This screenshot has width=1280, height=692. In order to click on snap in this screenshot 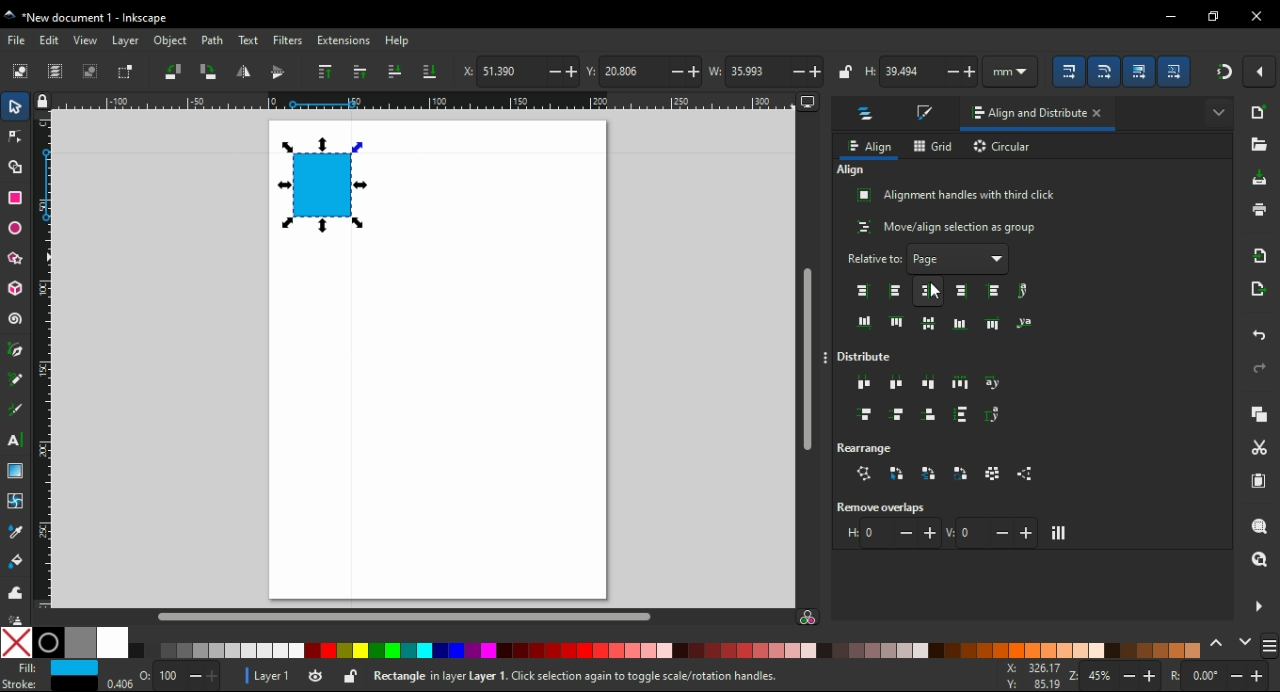, I will do `click(1223, 72)`.